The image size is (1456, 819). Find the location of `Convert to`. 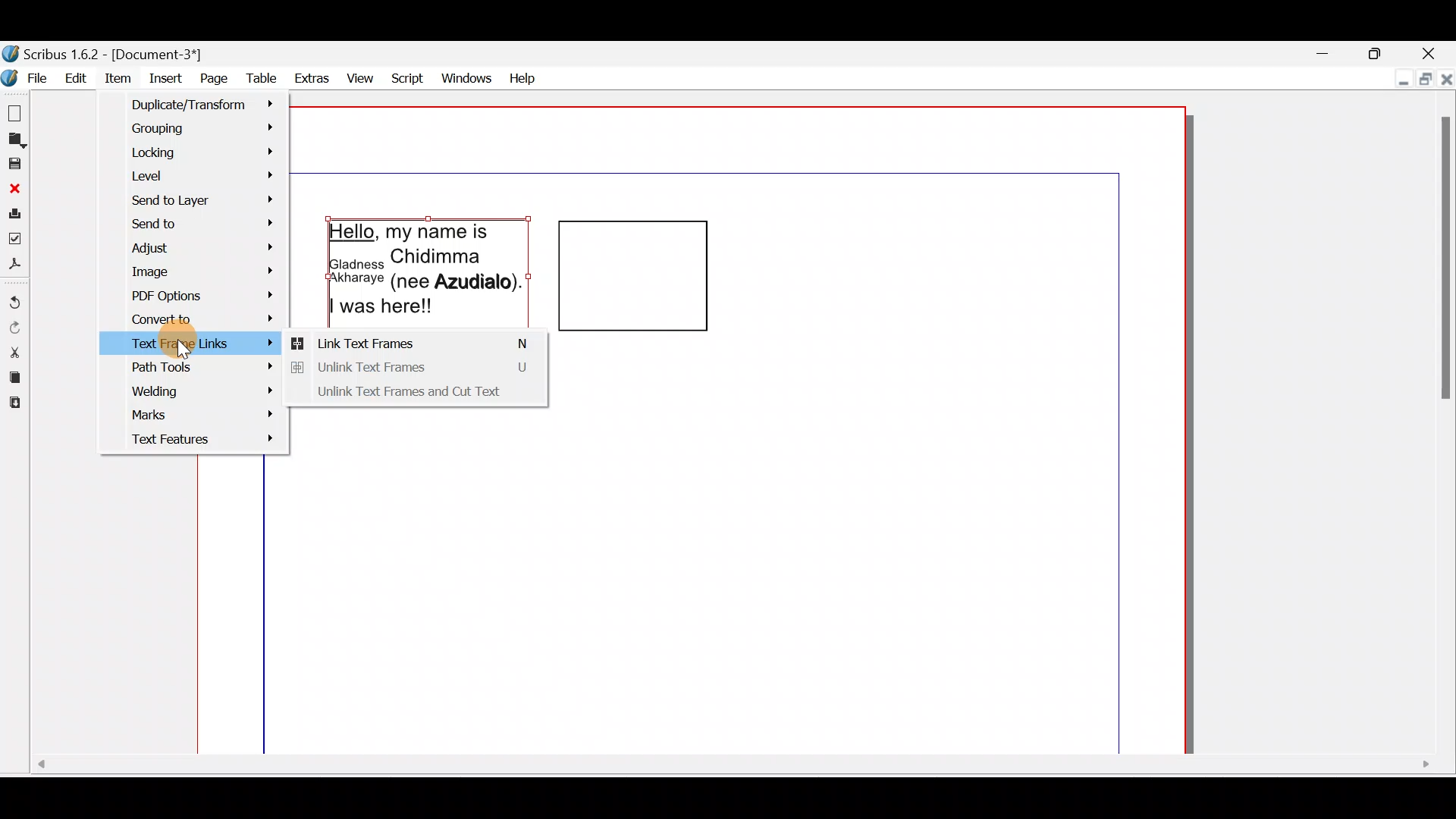

Convert to is located at coordinates (193, 316).